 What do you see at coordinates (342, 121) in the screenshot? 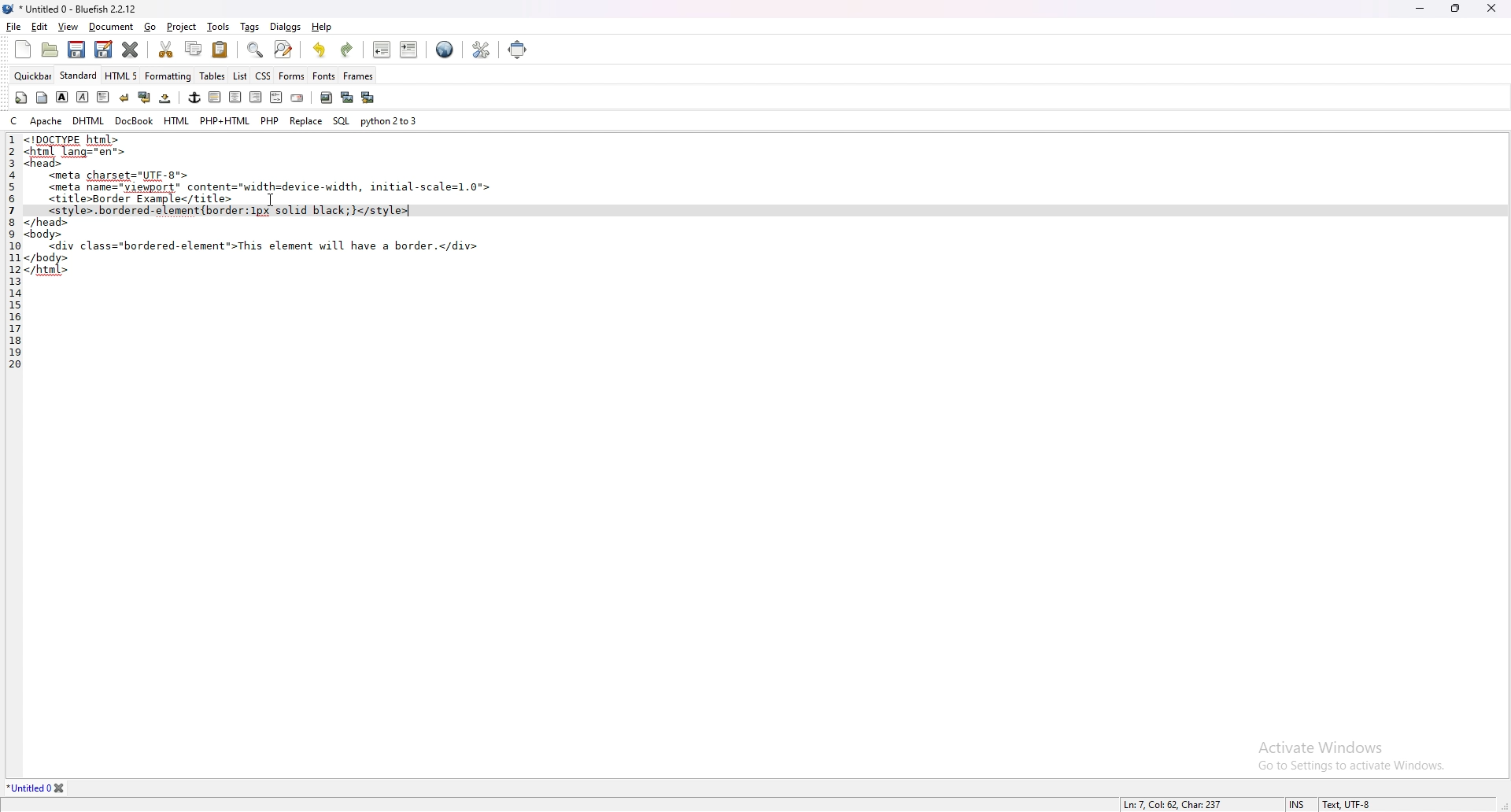
I see `sql` at bounding box center [342, 121].